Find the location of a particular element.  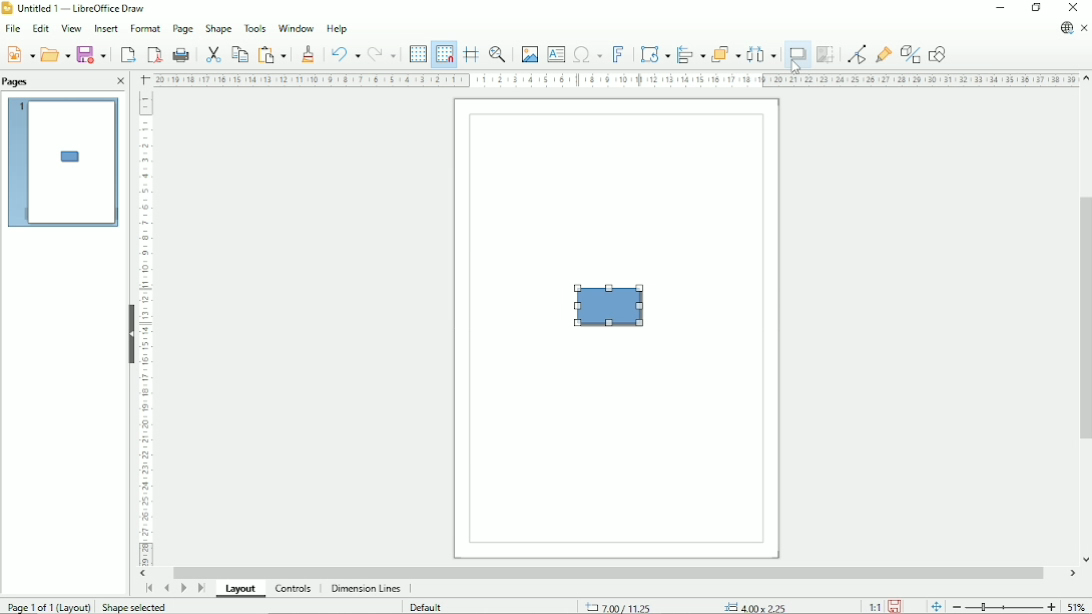

Fit page to current window is located at coordinates (935, 604).